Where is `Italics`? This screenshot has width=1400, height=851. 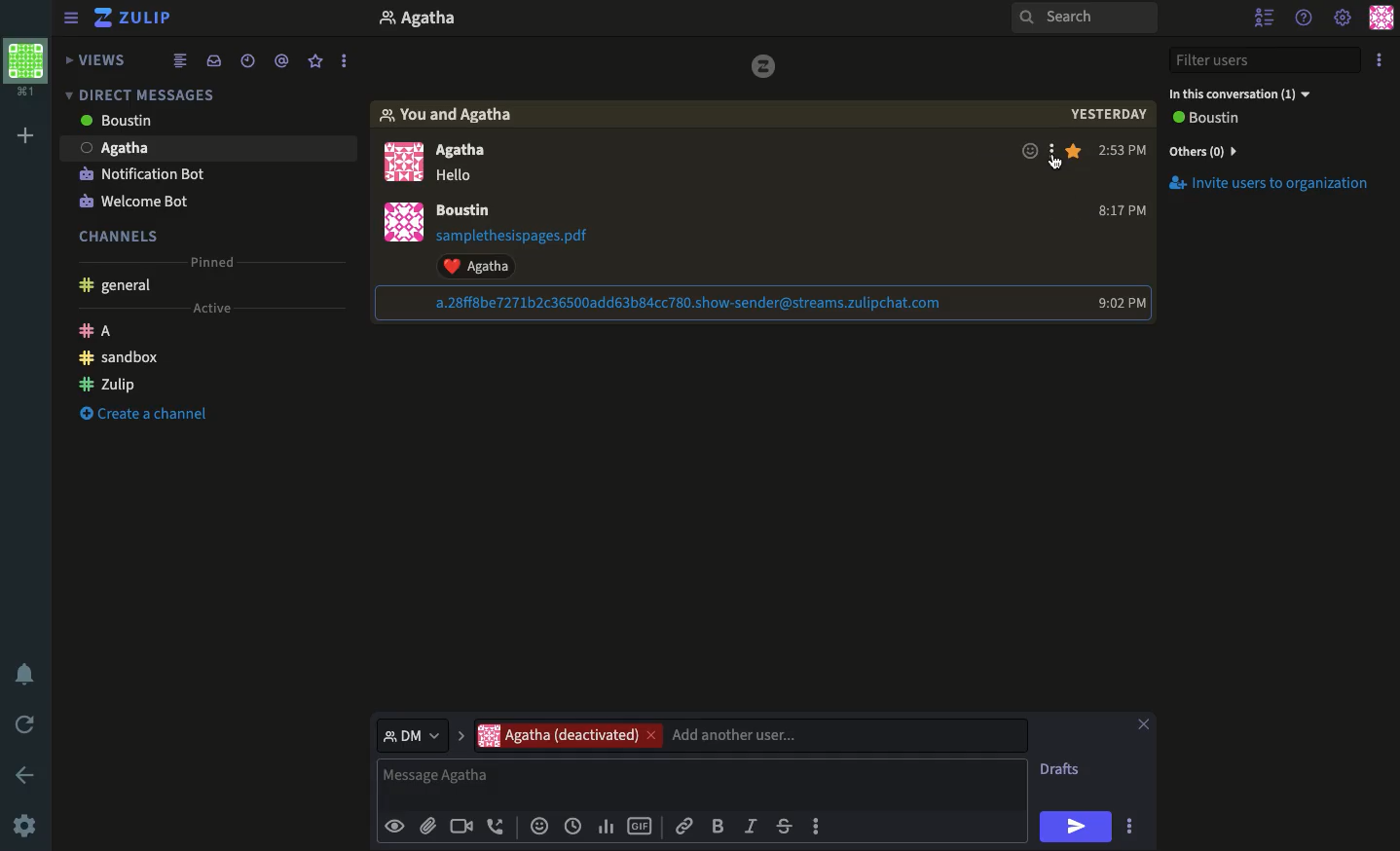
Italics is located at coordinates (751, 825).